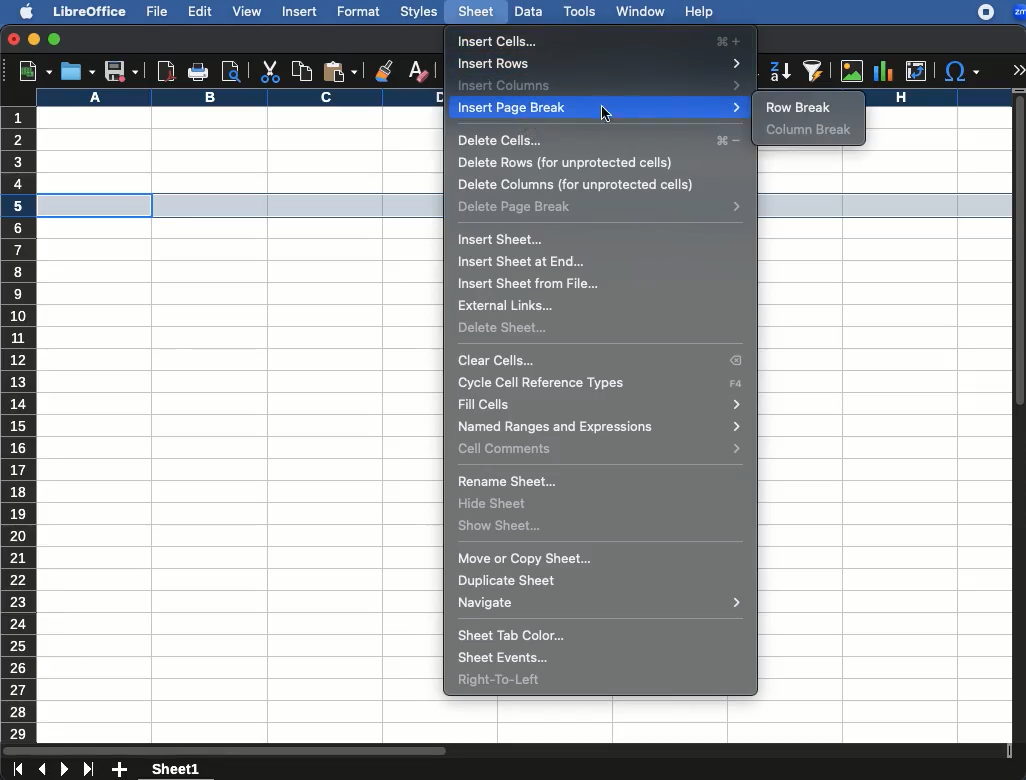 The image size is (1026, 780). I want to click on named ranges and expressions, so click(599, 427).